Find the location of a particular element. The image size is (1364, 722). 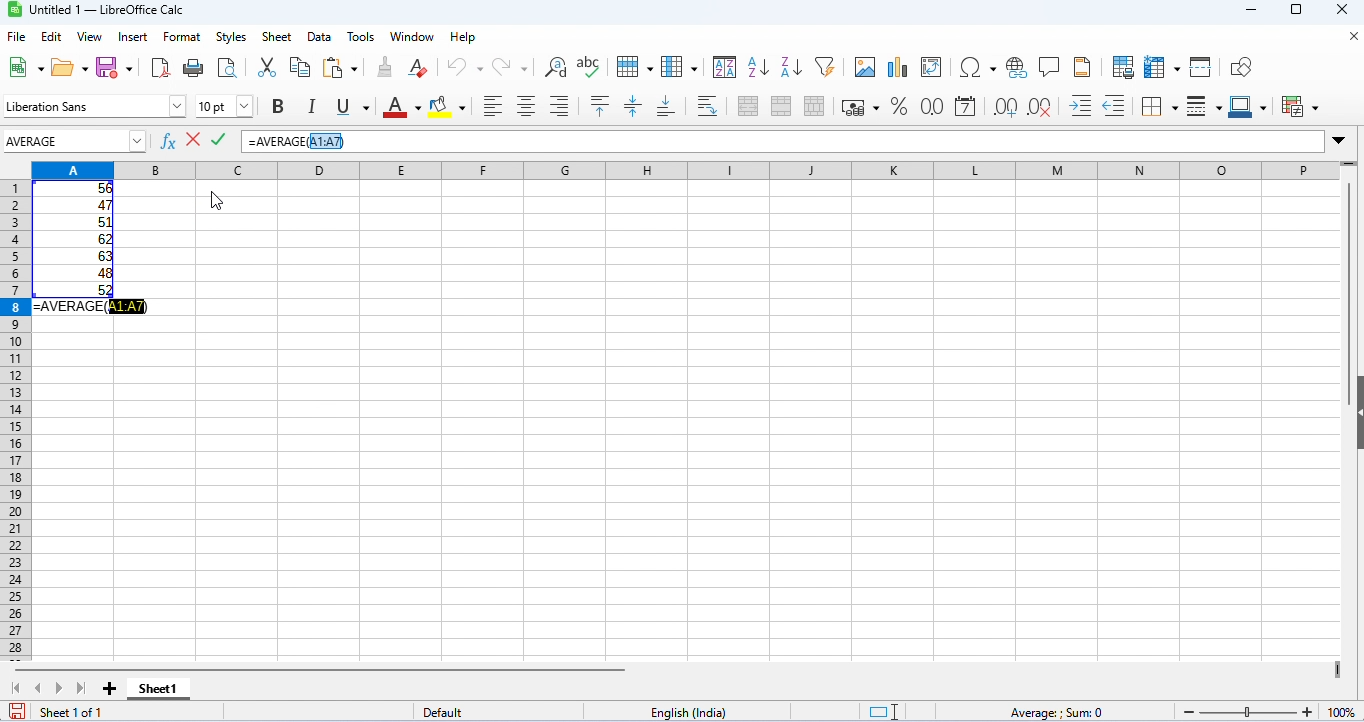

maximize is located at coordinates (1296, 12).